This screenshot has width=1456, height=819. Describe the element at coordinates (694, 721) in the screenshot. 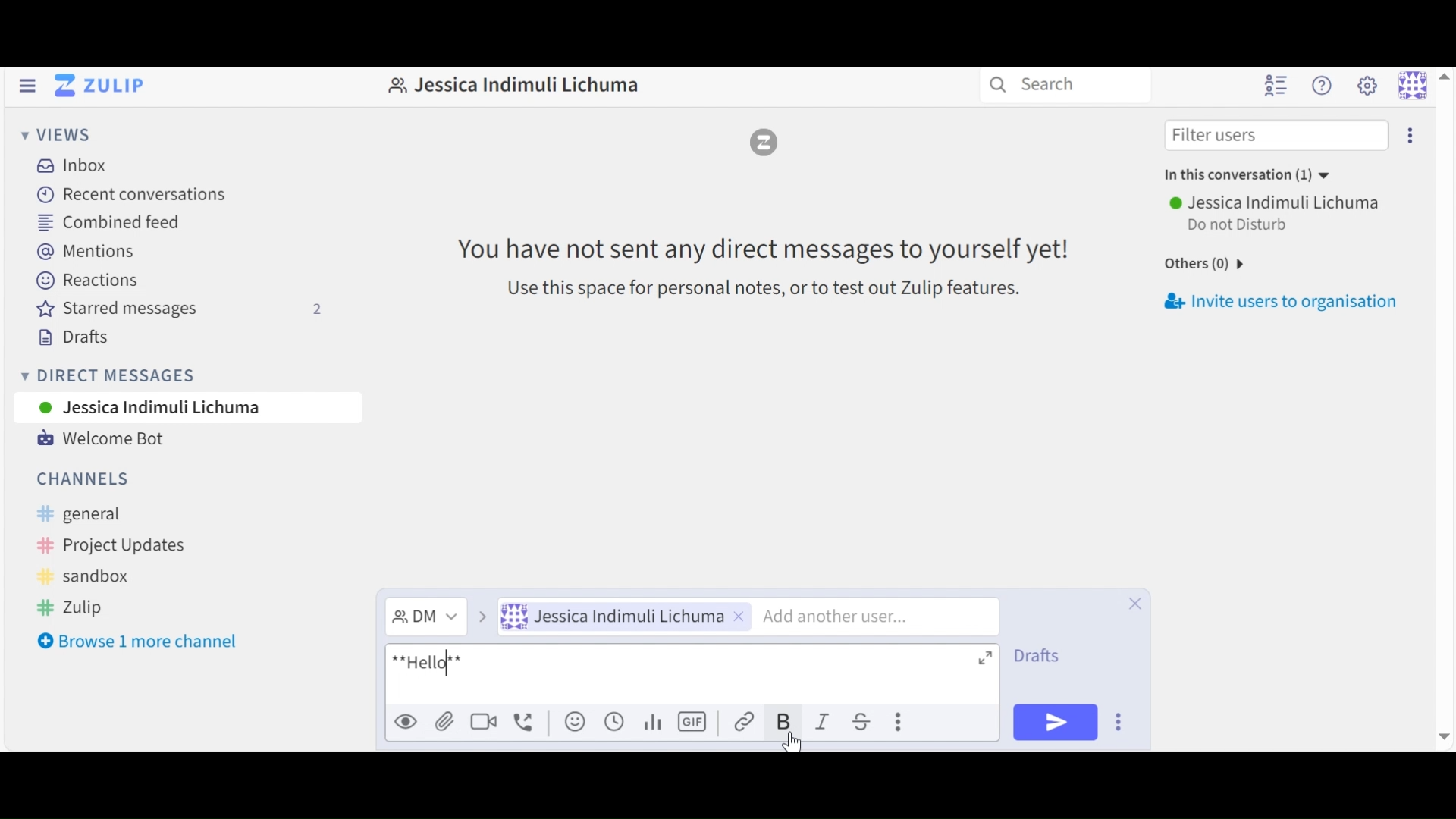

I see `Add GIF` at that location.